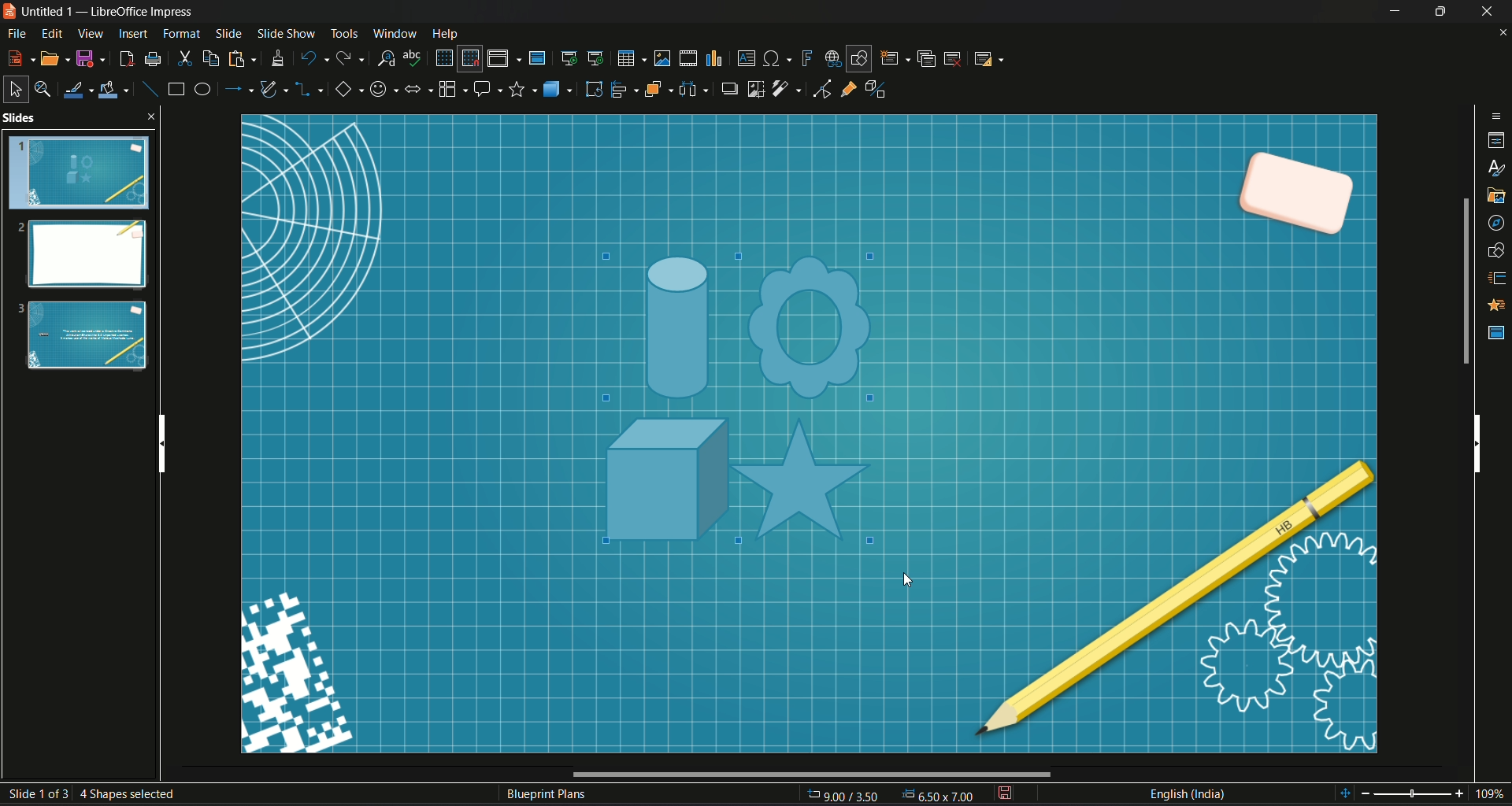 The width and height of the screenshot is (1512, 806). What do you see at coordinates (880, 89) in the screenshot?
I see `toggle extrusion` at bounding box center [880, 89].